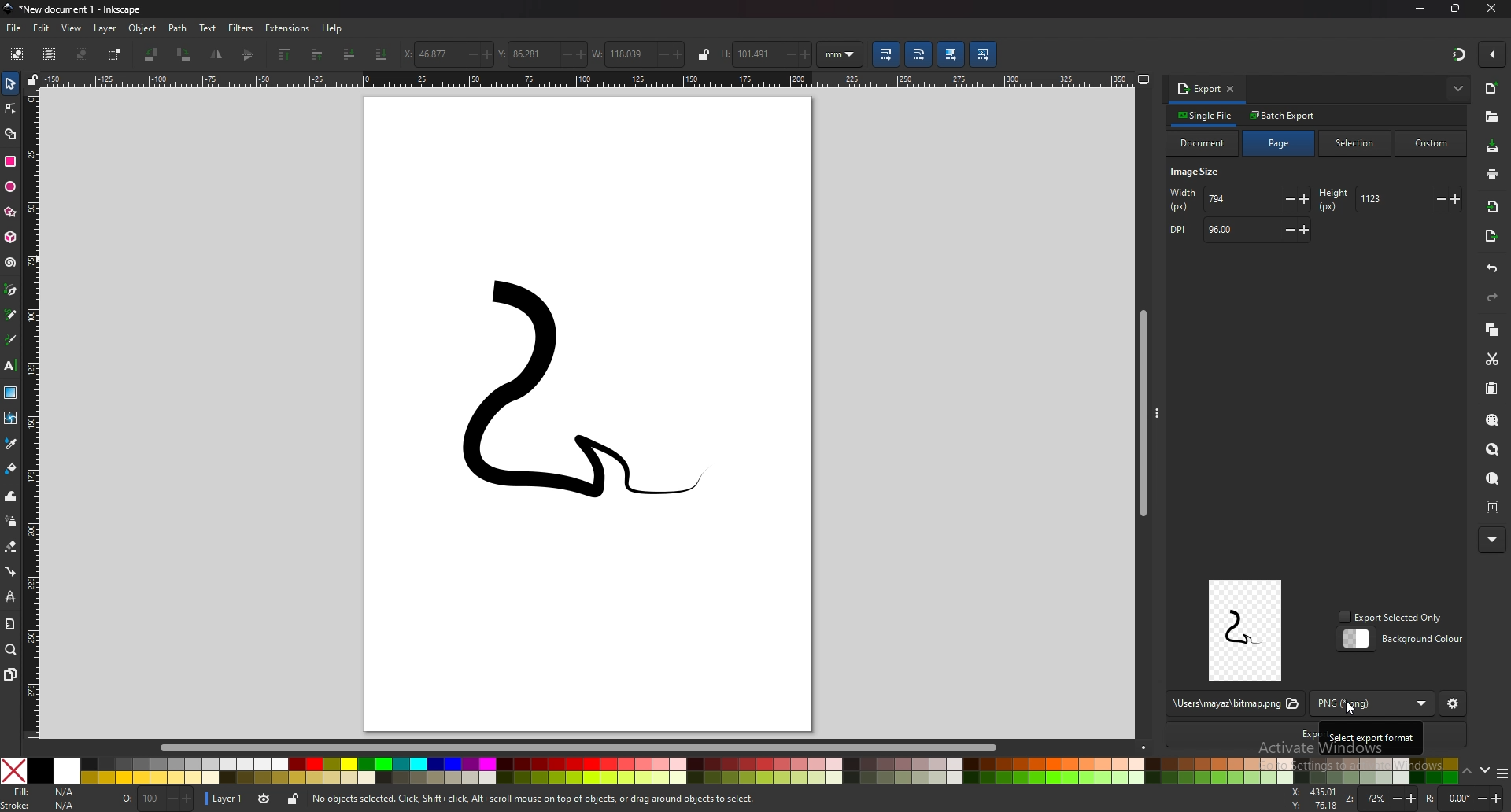 The width and height of the screenshot is (1511, 812). Describe the element at coordinates (218, 54) in the screenshot. I see `flip vetically` at that location.